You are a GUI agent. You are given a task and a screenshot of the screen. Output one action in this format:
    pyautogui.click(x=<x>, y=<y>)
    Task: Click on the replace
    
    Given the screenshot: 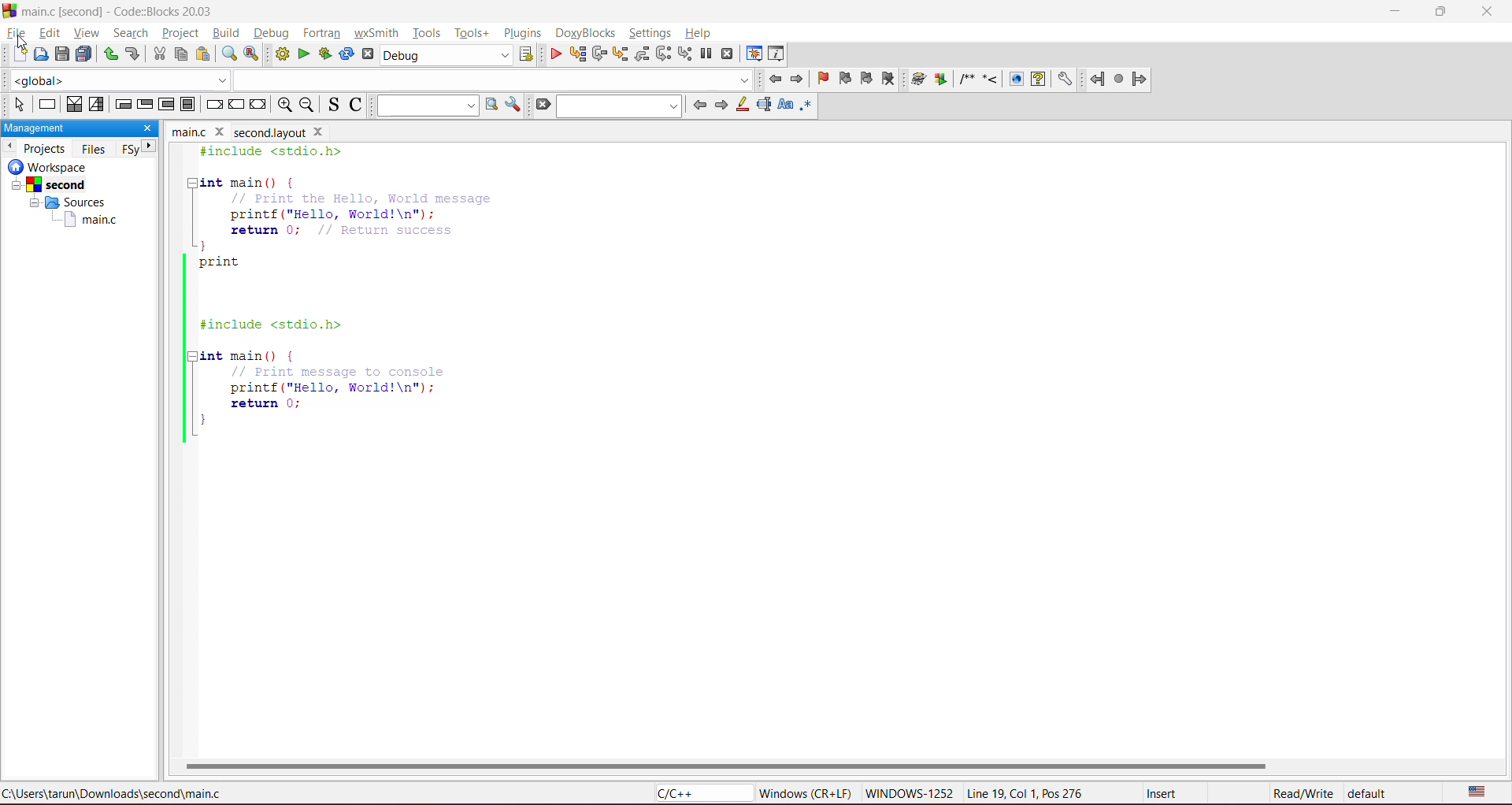 What is the action you would take?
    pyautogui.click(x=251, y=54)
    